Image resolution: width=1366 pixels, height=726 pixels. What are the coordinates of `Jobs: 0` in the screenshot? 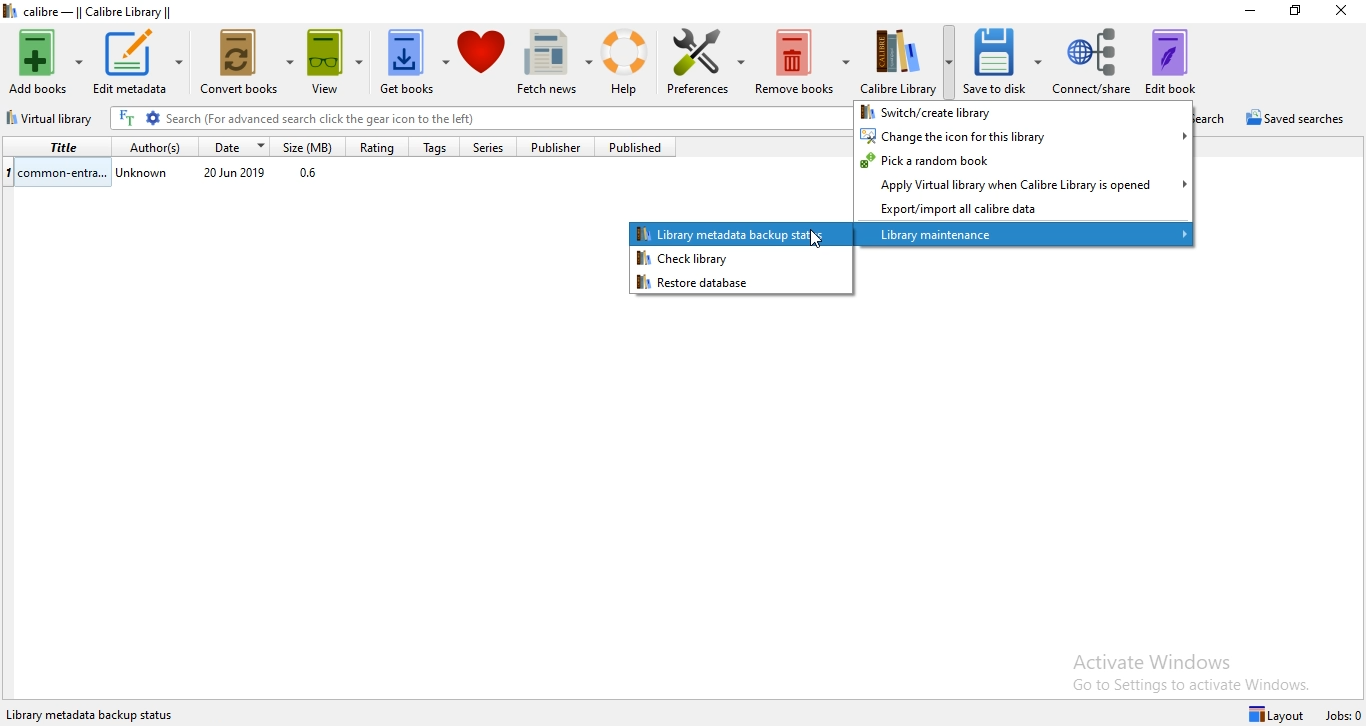 It's located at (1344, 716).